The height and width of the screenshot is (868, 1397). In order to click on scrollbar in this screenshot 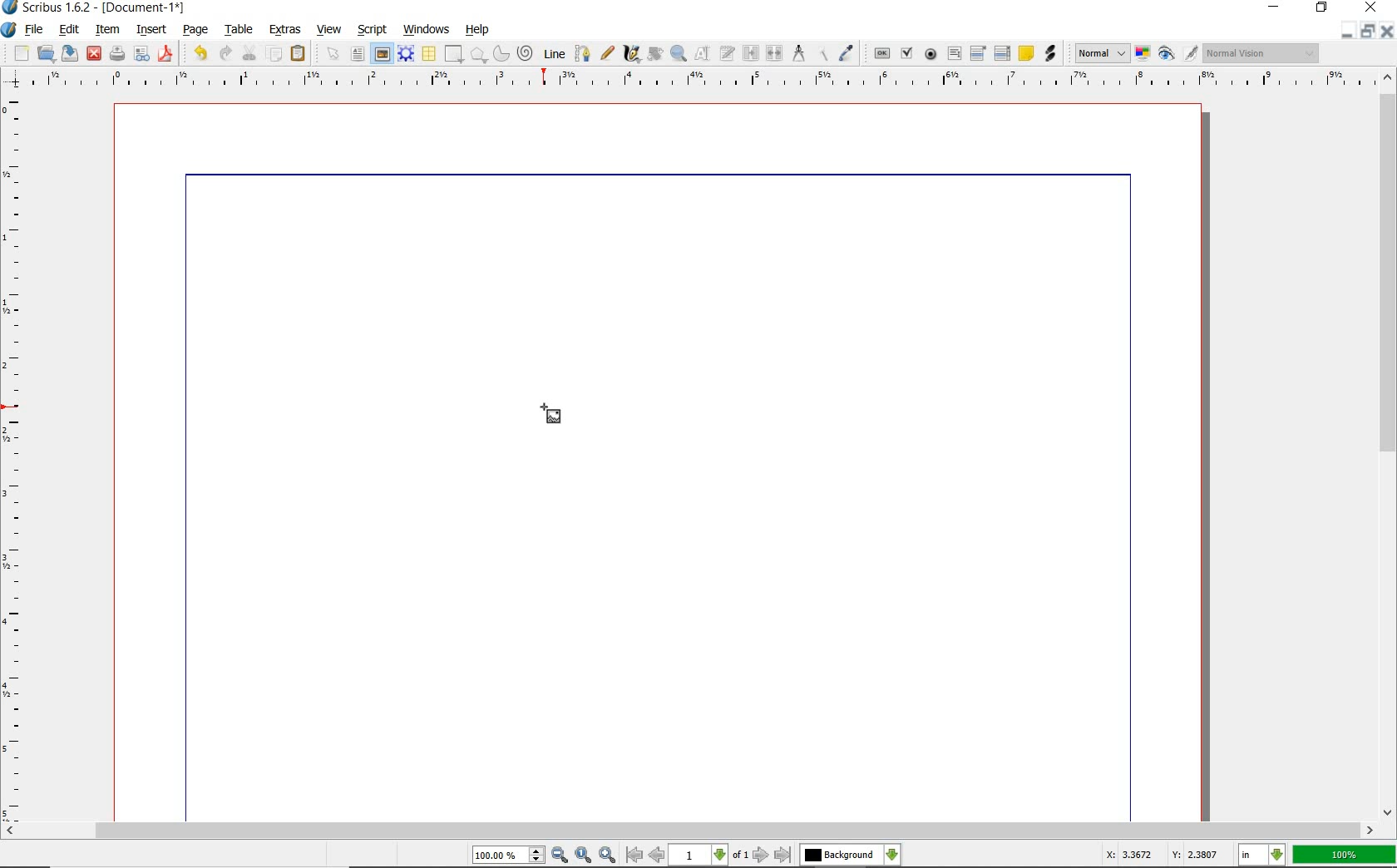, I will do `click(1389, 445)`.